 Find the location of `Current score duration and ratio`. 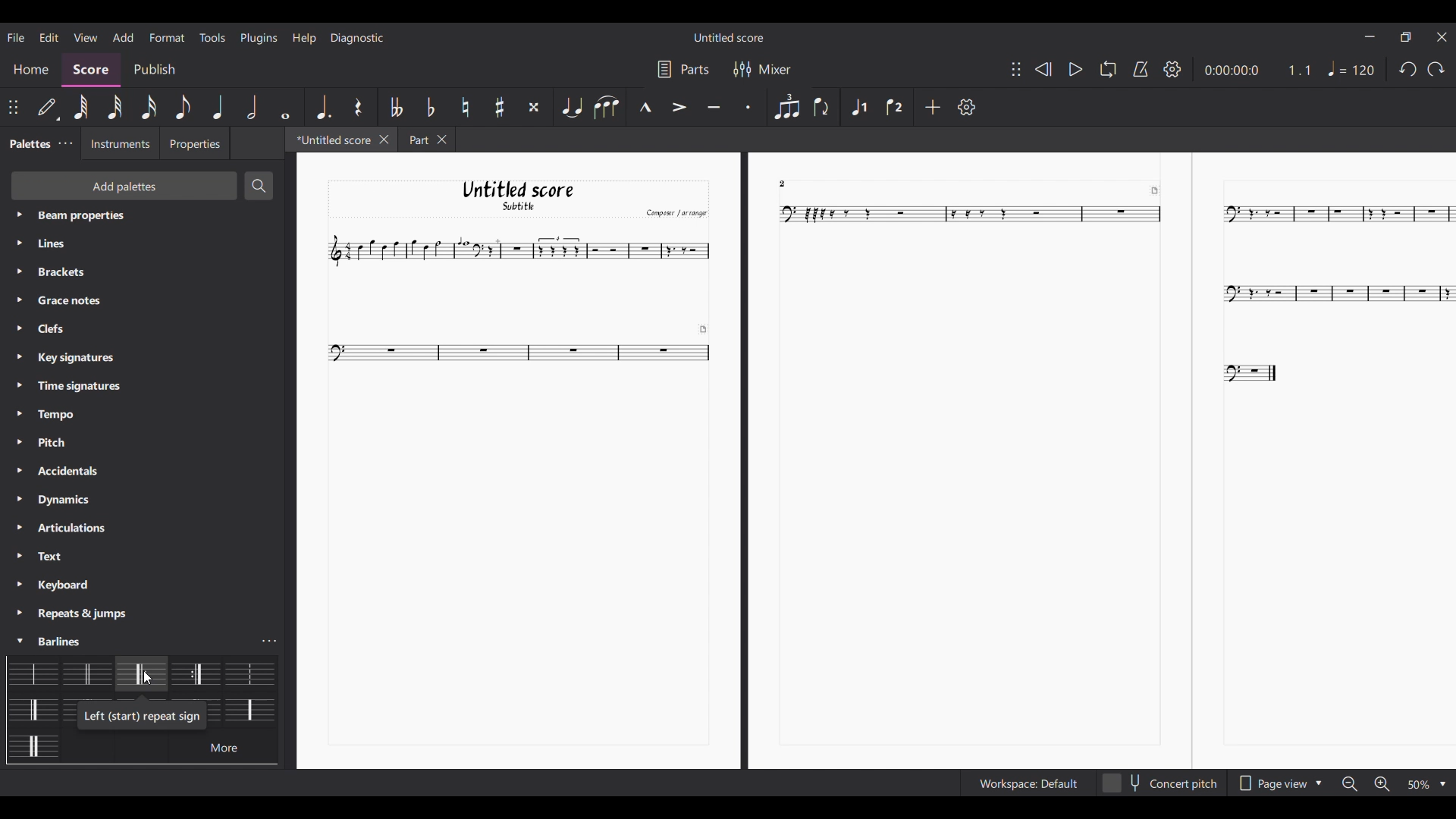

Current score duration and ratio is located at coordinates (1257, 70).